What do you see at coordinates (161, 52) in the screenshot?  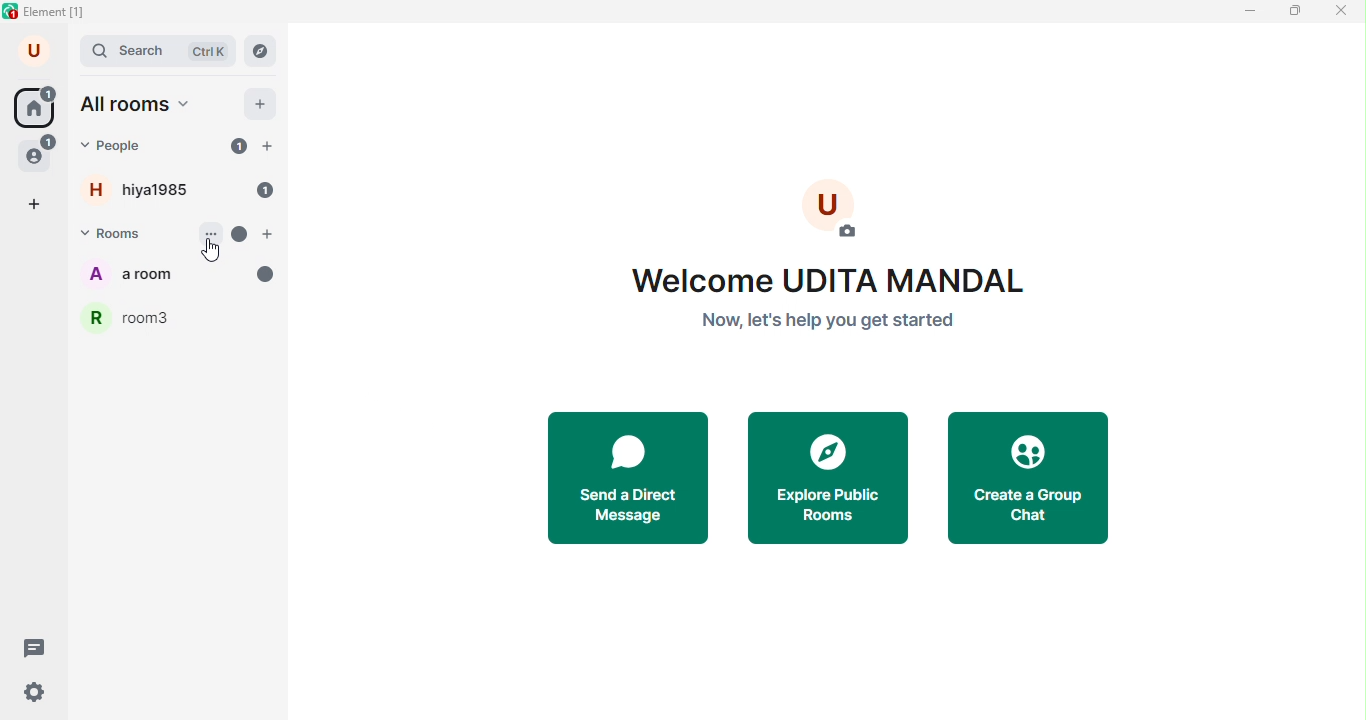 I see `search bar` at bounding box center [161, 52].